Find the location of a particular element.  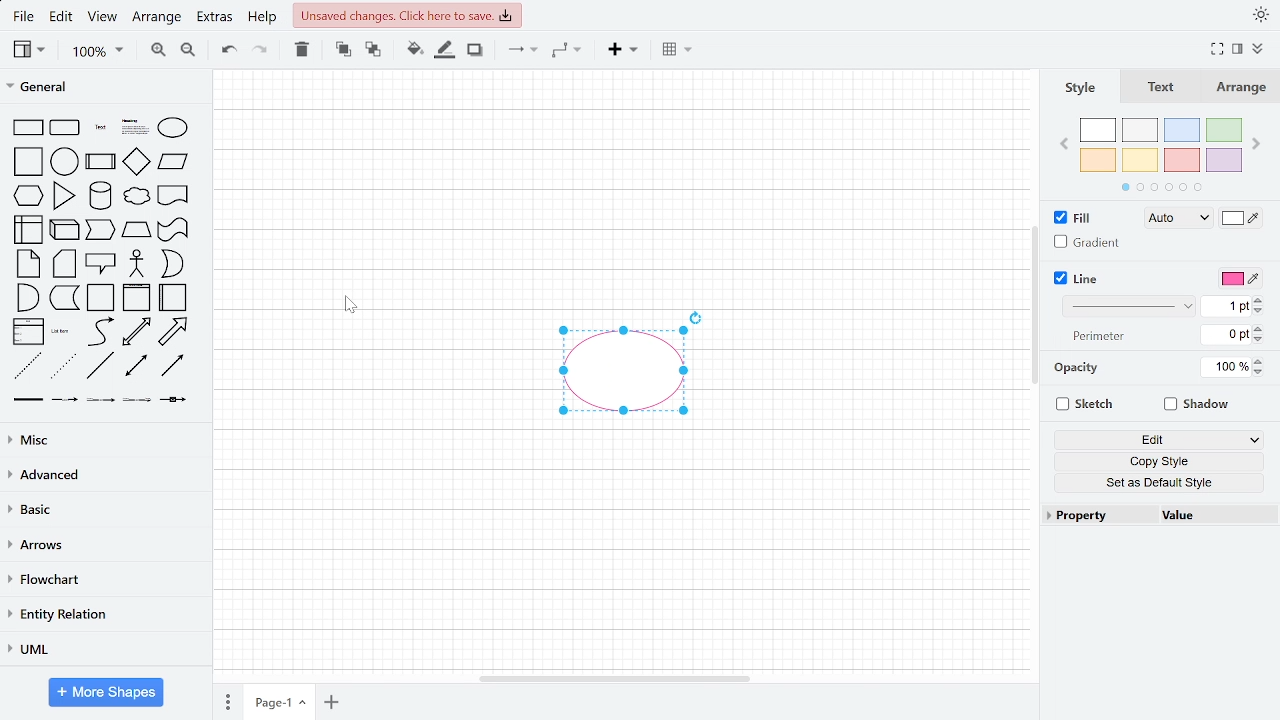

Text is located at coordinates (1162, 88).